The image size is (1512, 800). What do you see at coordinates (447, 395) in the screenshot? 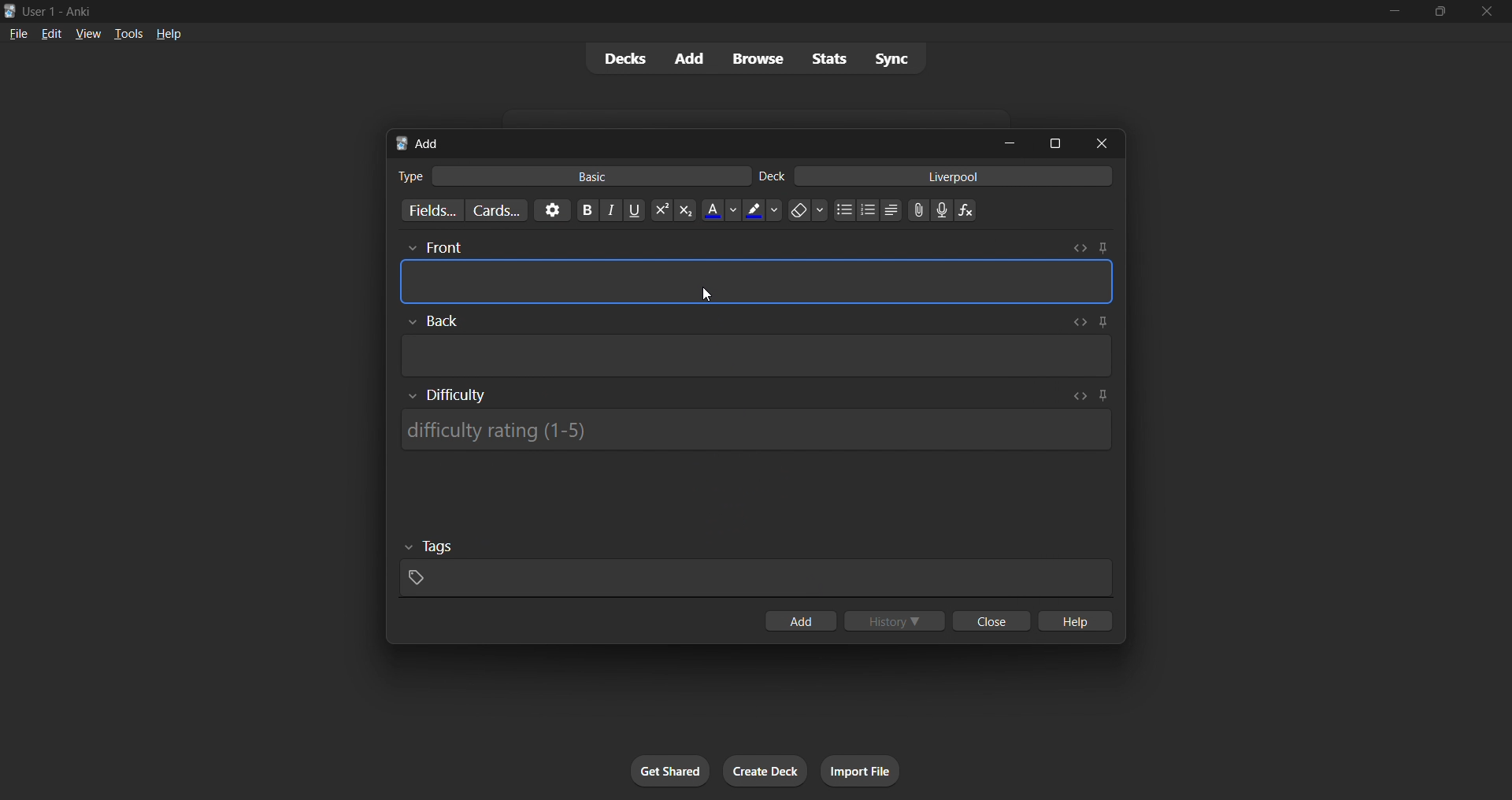
I see `Show/Hide Difficulty rating input box` at bounding box center [447, 395].